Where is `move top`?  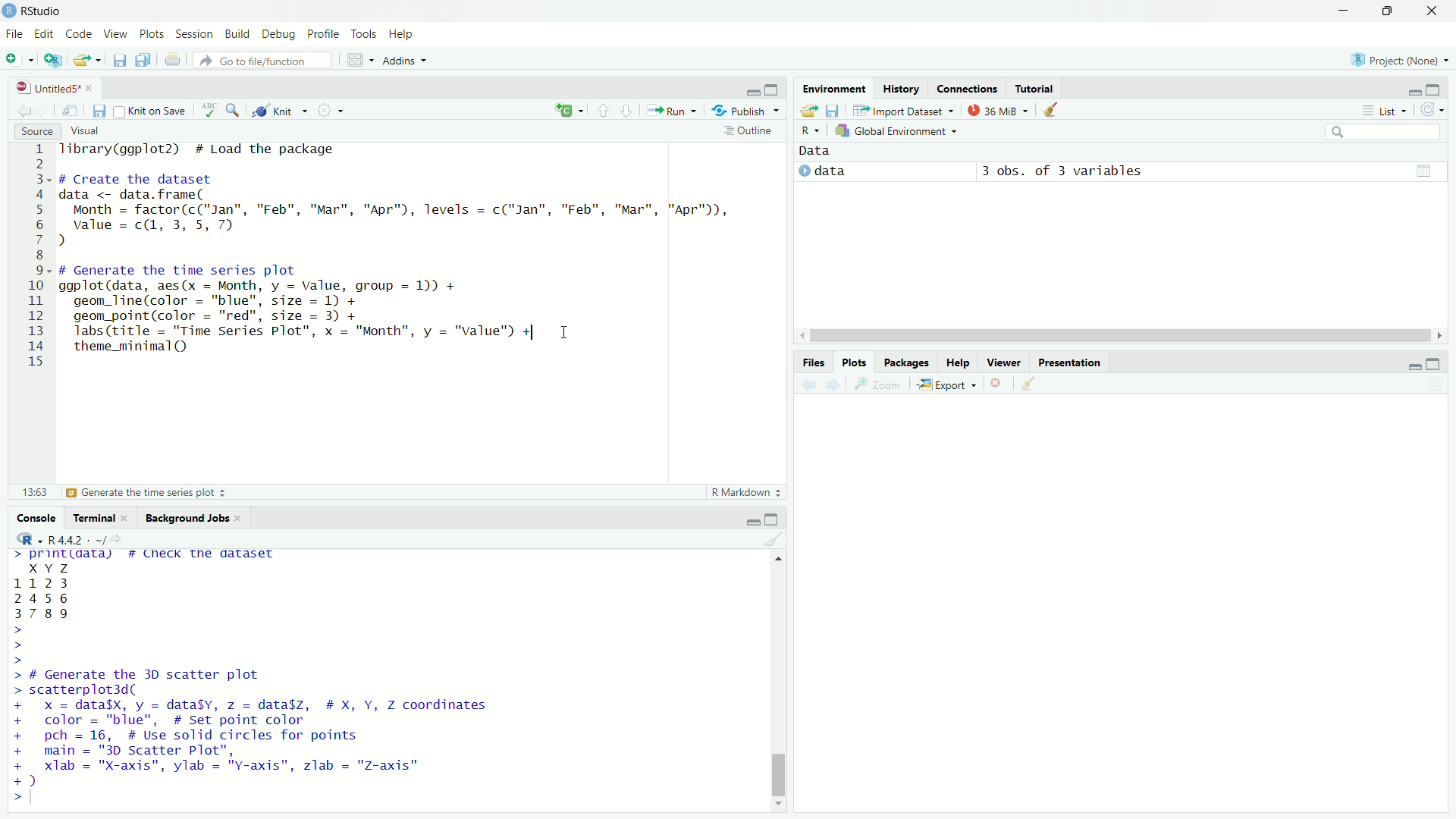
move top is located at coordinates (775, 560).